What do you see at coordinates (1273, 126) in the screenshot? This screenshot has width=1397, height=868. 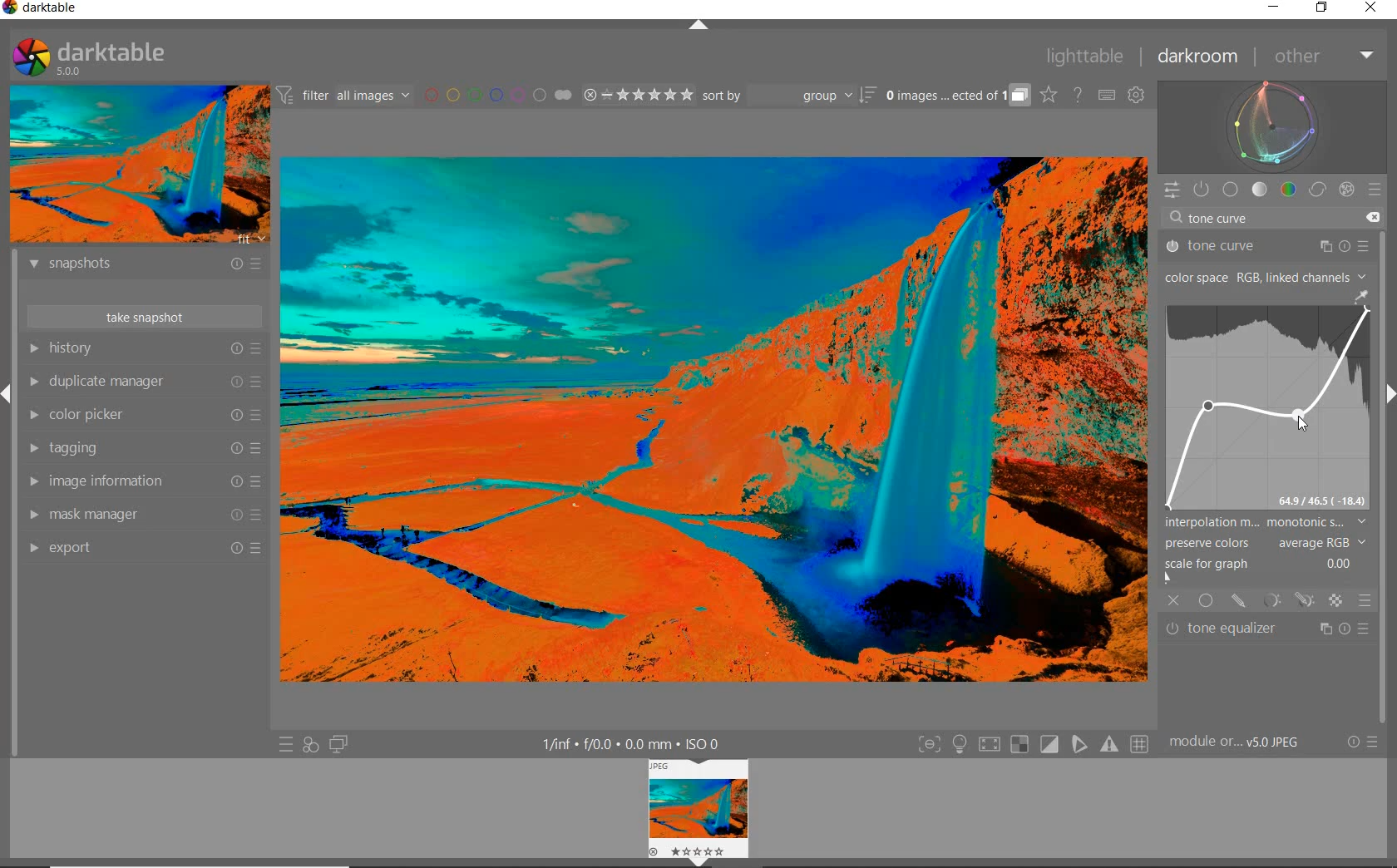 I see `waveform` at bounding box center [1273, 126].